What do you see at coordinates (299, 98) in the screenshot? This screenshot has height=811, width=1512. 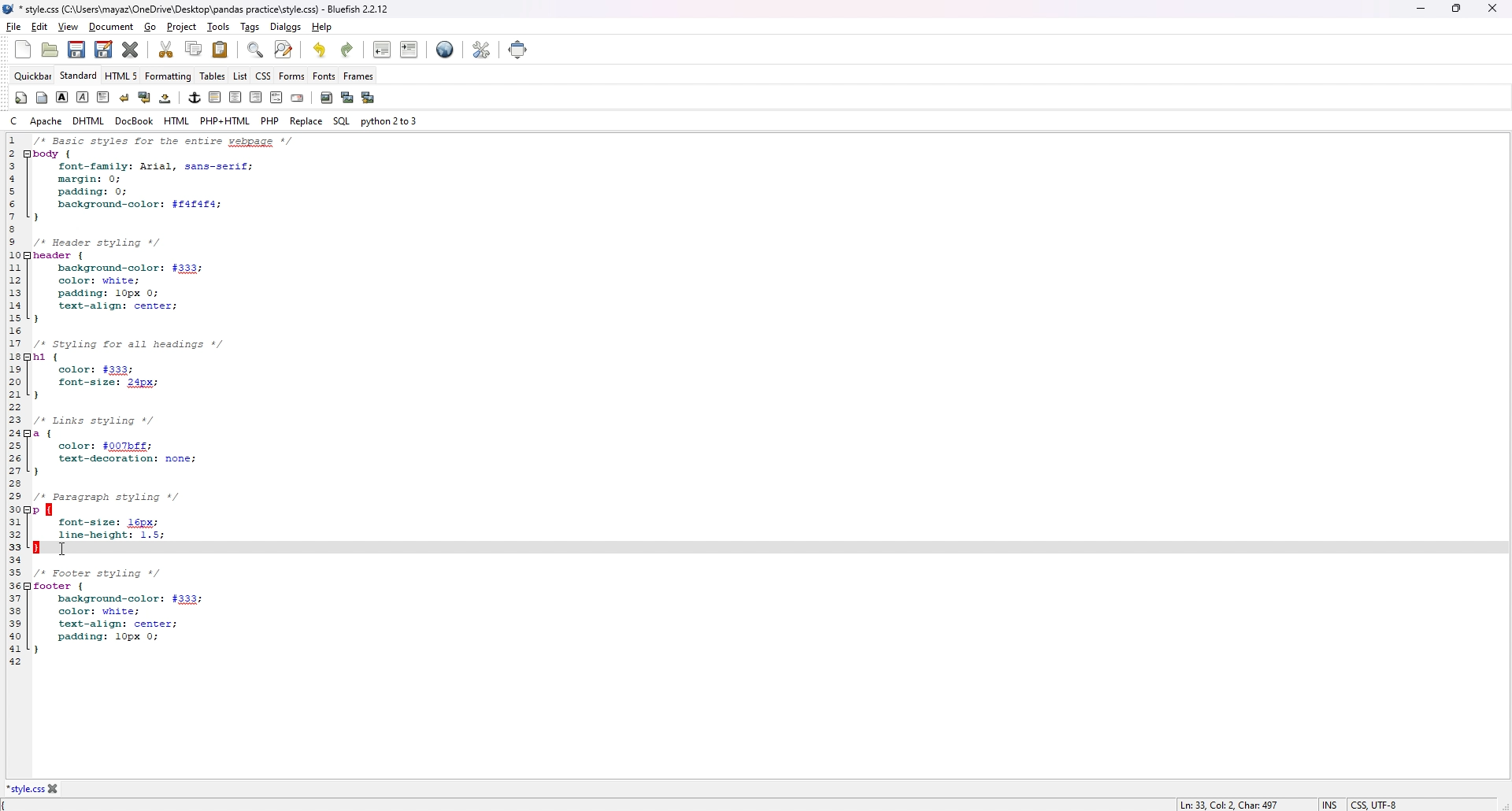 I see `email` at bounding box center [299, 98].